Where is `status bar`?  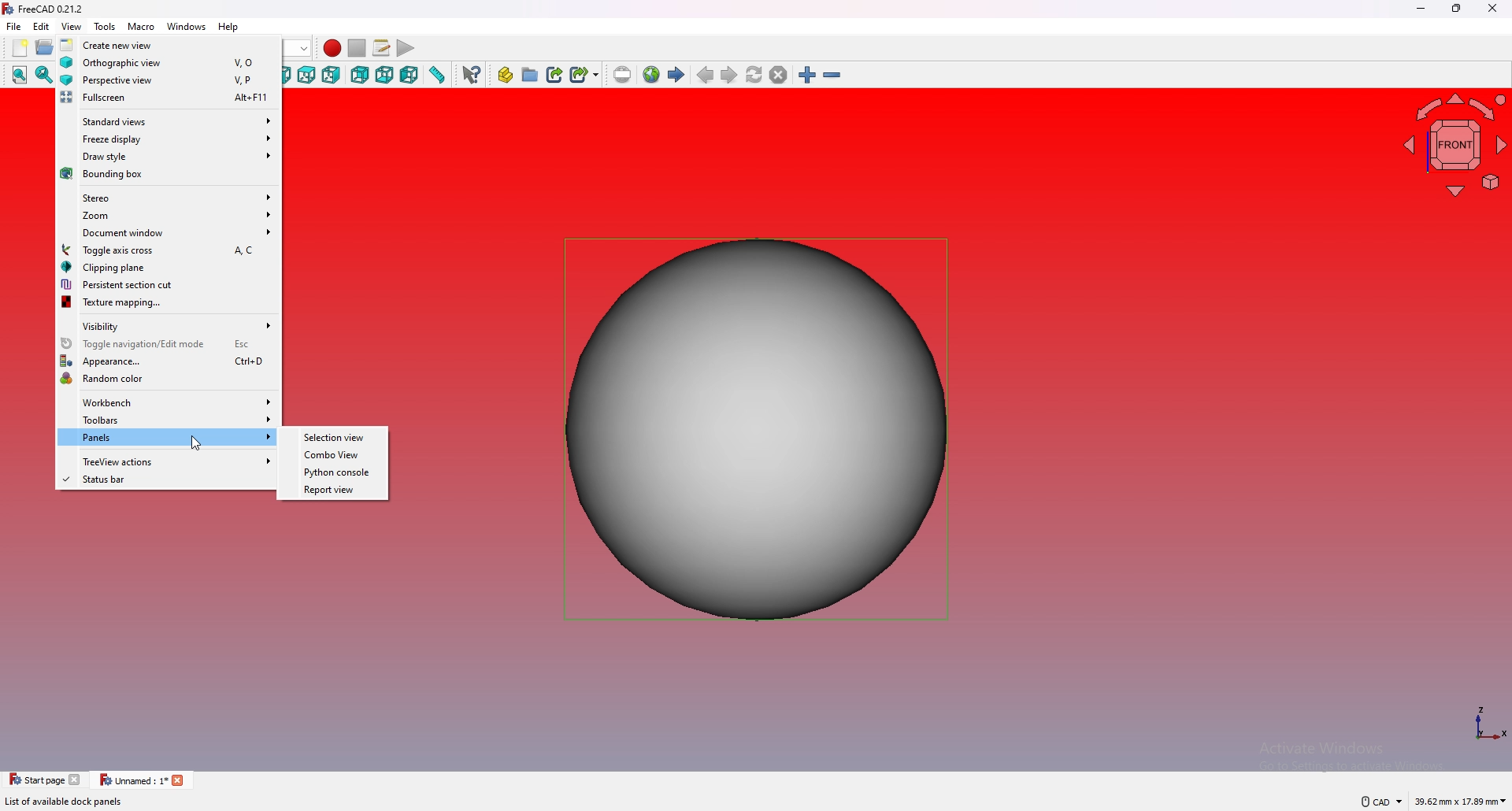 status bar is located at coordinates (166, 480).